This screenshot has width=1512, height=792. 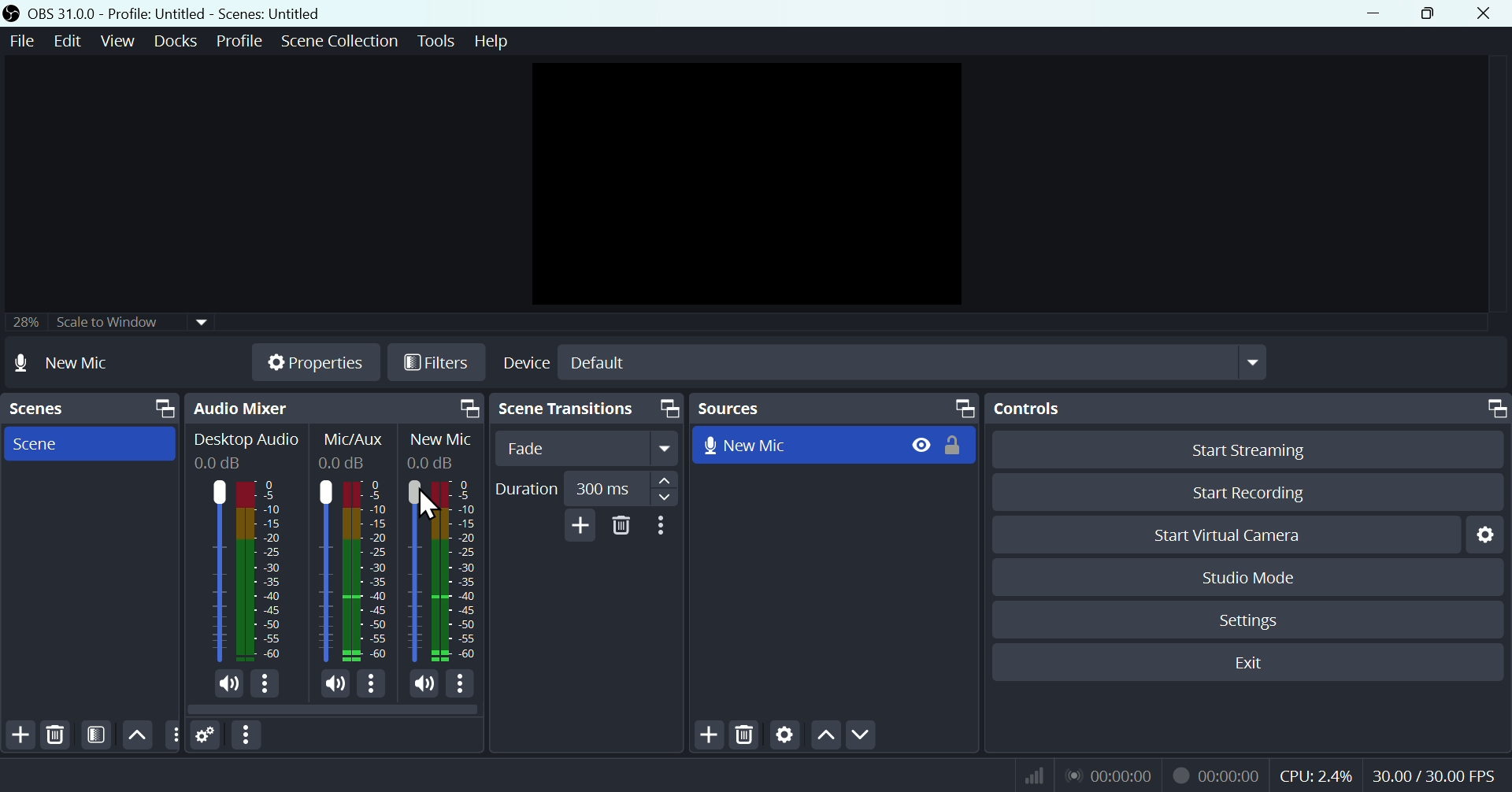 I want to click on Mic/Aux, so click(x=366, y=570).